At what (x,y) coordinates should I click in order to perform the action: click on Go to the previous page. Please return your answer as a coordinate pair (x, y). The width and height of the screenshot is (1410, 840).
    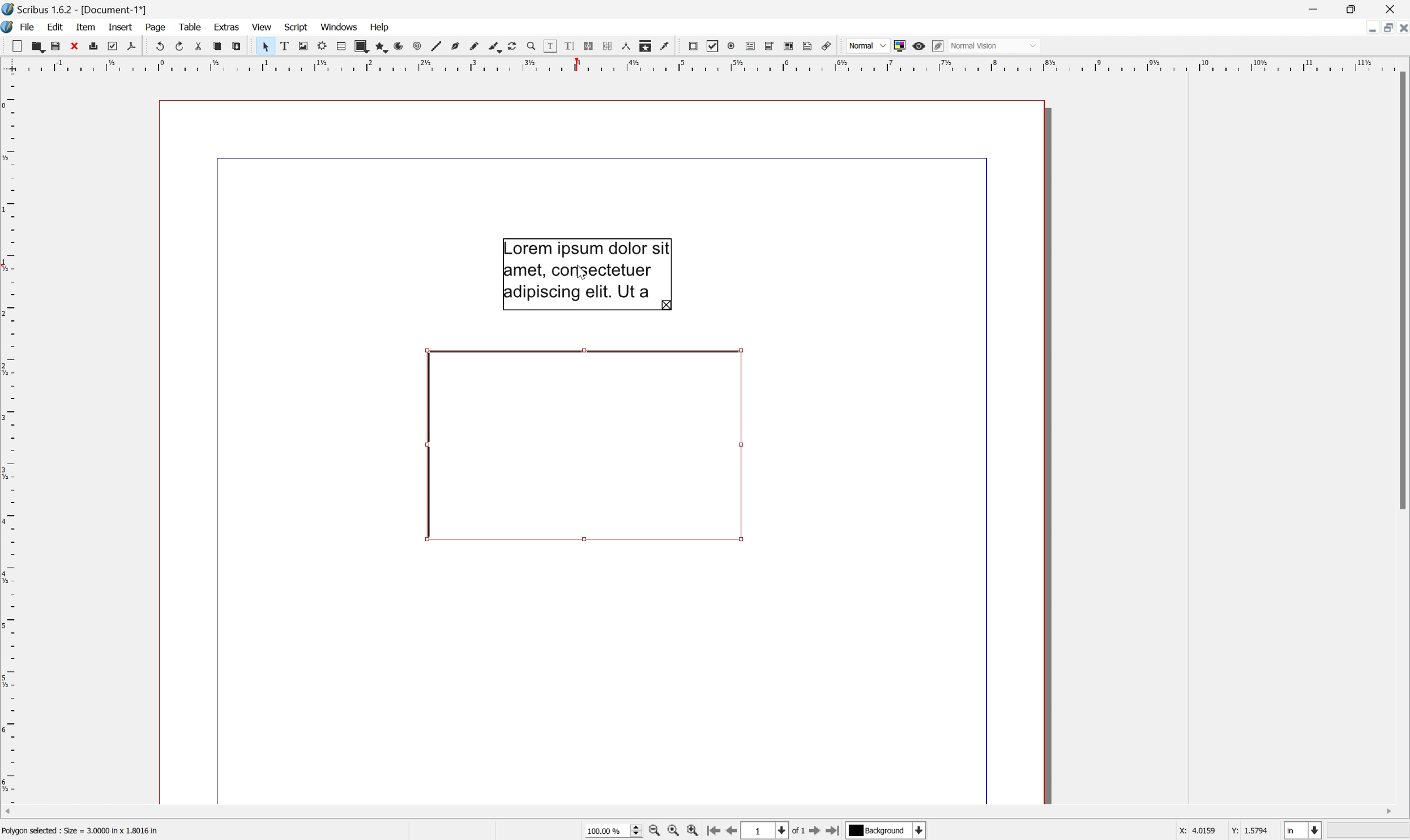
    Looking at the image, I should click on (735, 830).